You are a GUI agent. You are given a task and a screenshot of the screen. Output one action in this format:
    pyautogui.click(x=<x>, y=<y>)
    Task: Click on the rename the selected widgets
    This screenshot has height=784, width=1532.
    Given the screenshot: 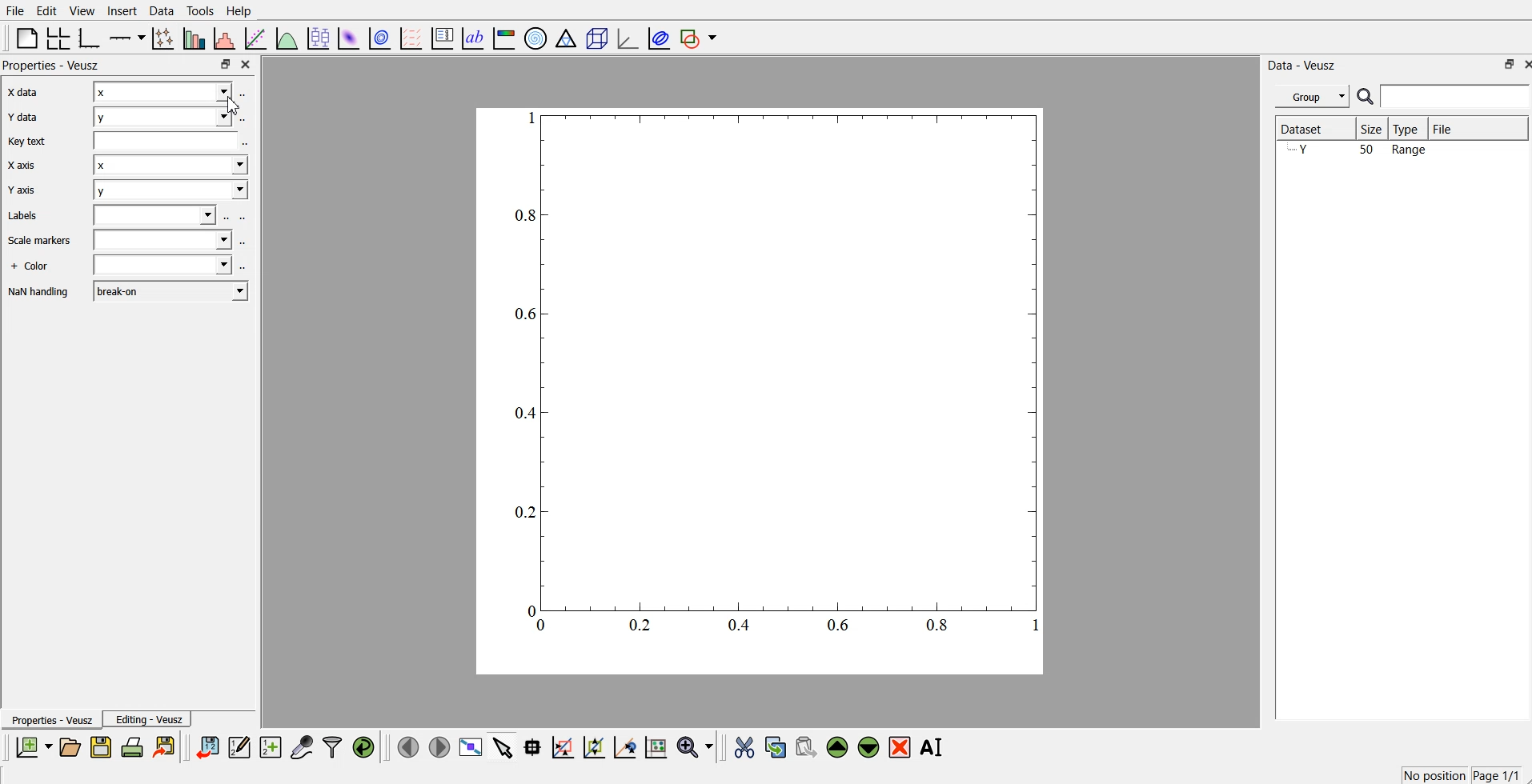 What is the action you would take?
    pyautogui.click(x=932, y=747)
    